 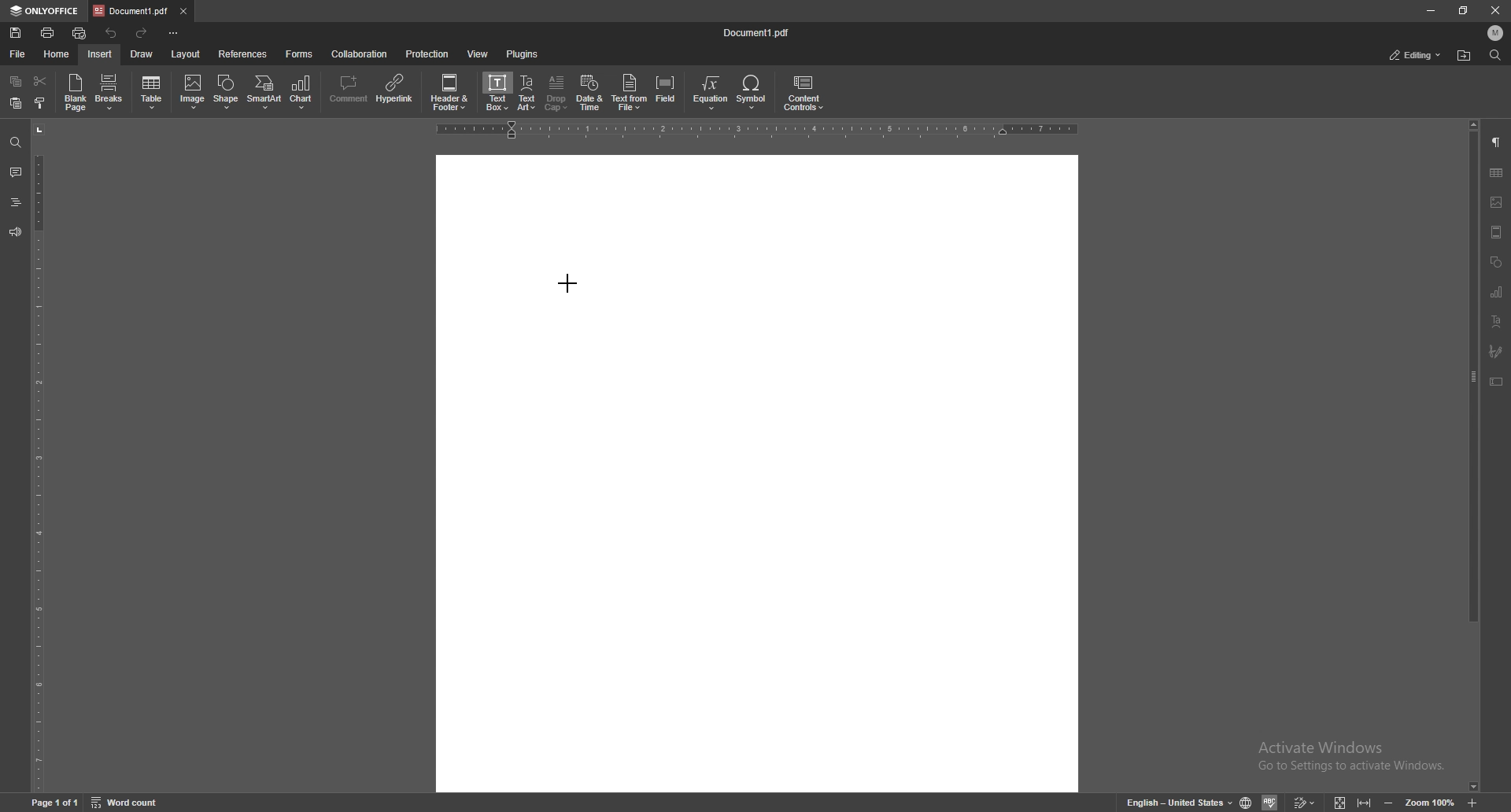 What do you see at coordinates (144, 34) in the screenshot?
I see `redo` at bounding box center [144, 34].